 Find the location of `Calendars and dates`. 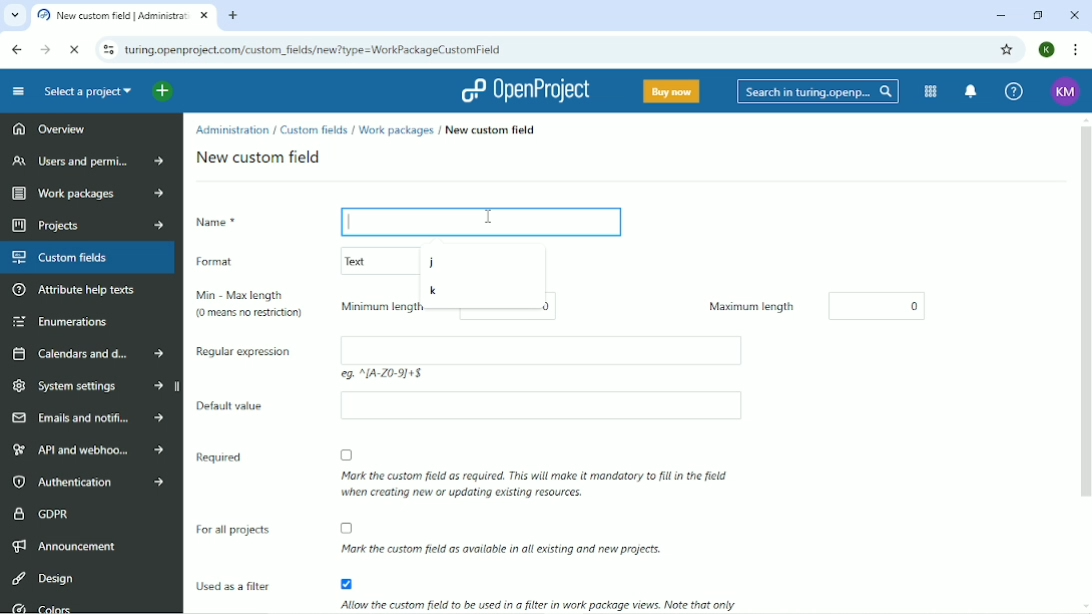

Calendars and dates is located at coordinates (89, 355).